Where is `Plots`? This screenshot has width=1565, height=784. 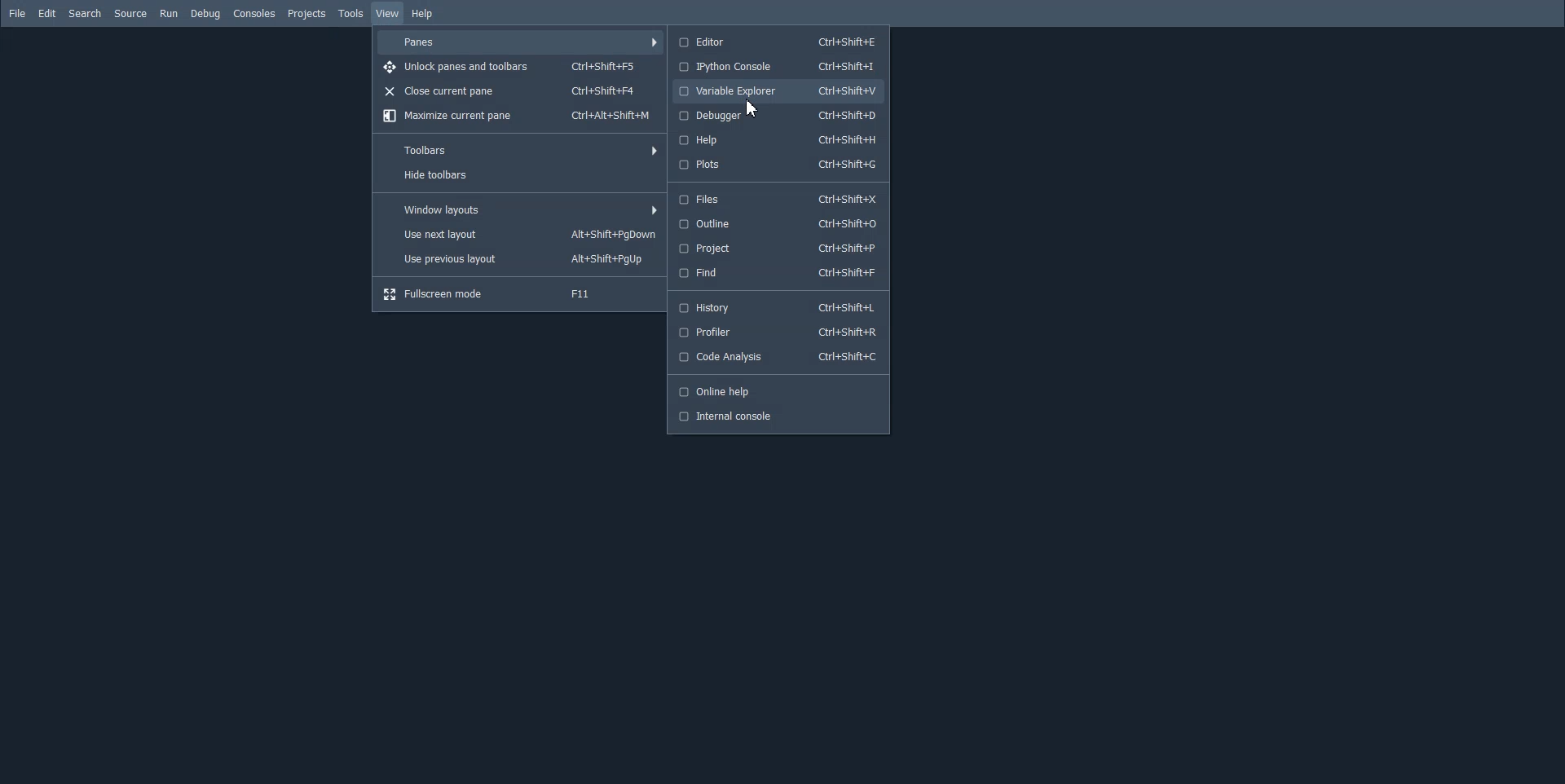 Plots is located at coordinates (778, 165).